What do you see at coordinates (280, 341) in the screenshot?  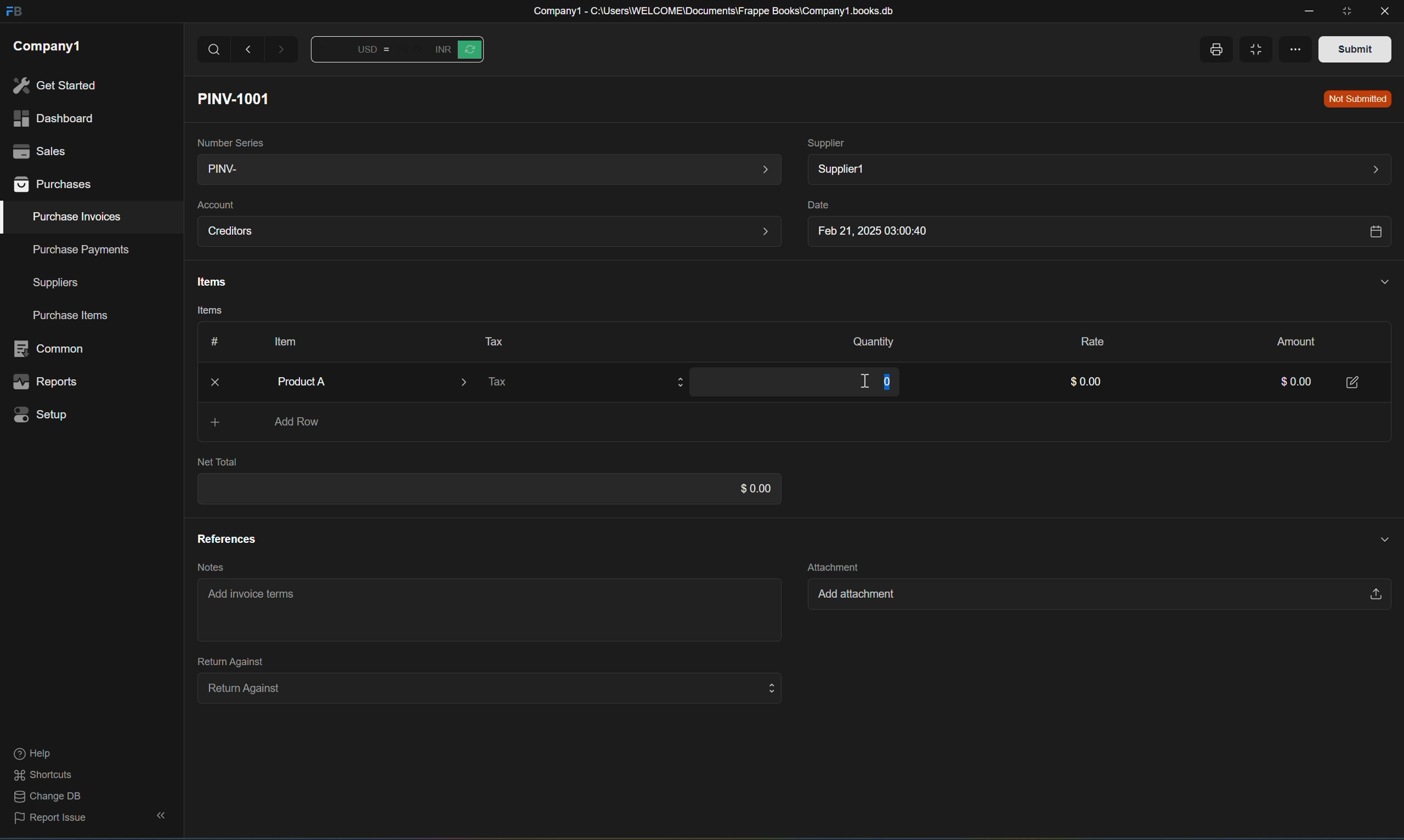 I see `Item` at bounding box center [280, 341].